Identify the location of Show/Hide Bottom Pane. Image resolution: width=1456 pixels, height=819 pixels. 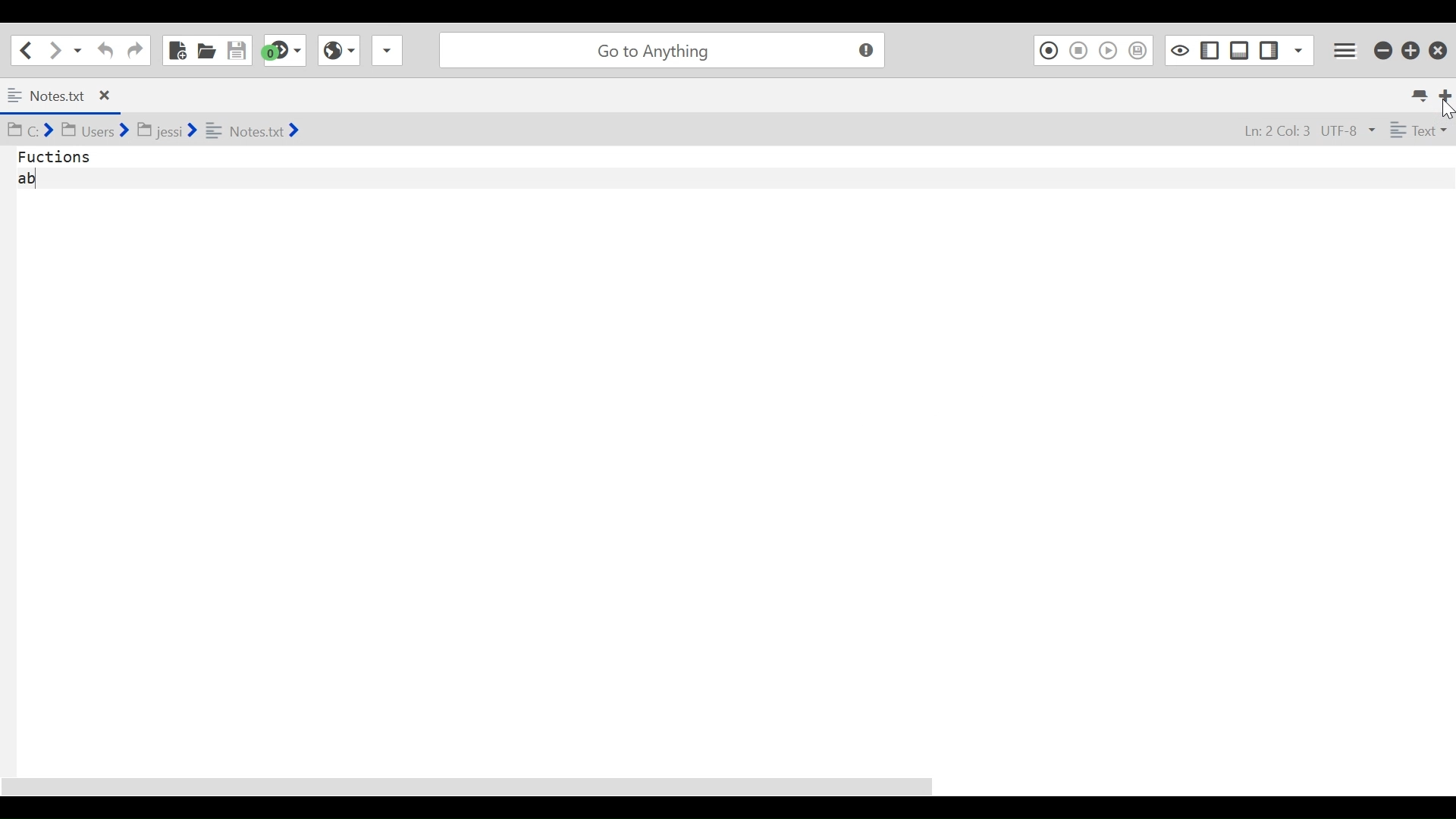
(1241, 49).